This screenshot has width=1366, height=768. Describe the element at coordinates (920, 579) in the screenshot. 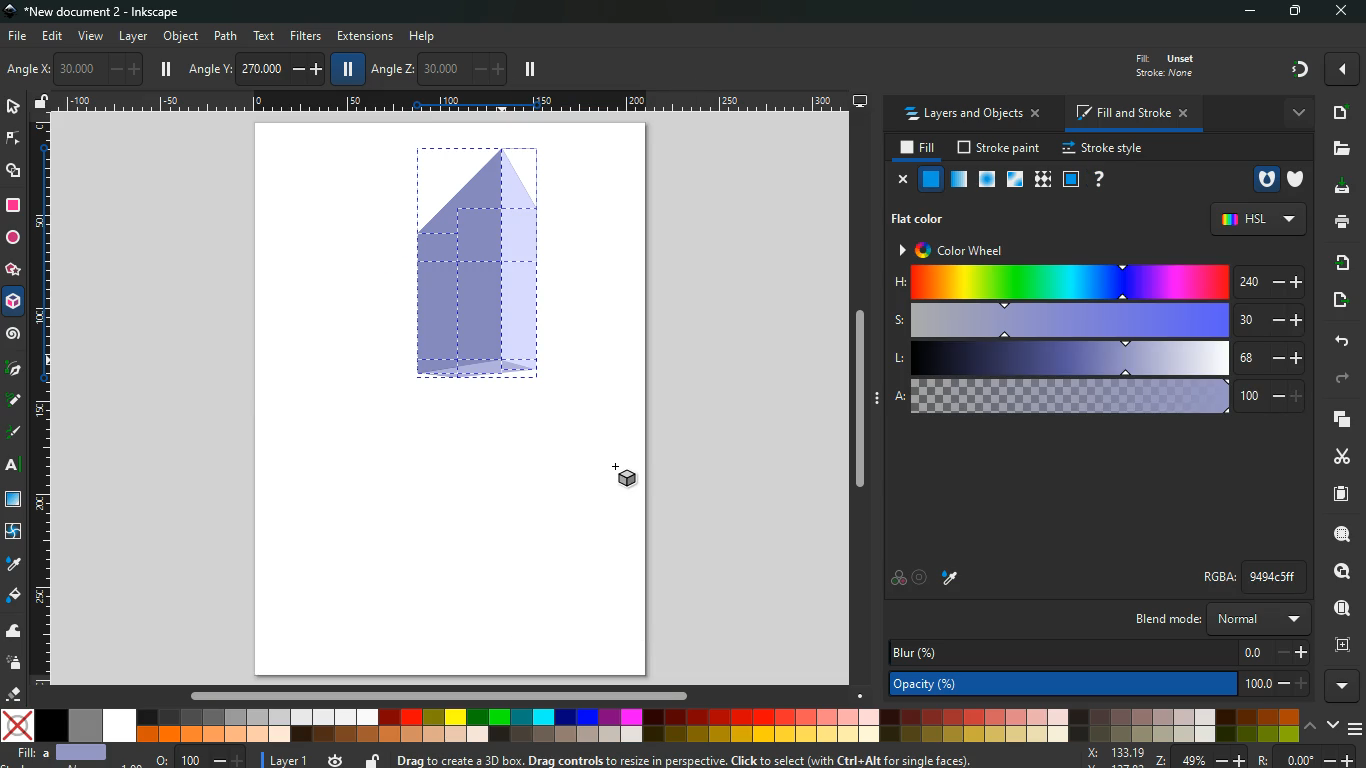

I see `aim` at that location.